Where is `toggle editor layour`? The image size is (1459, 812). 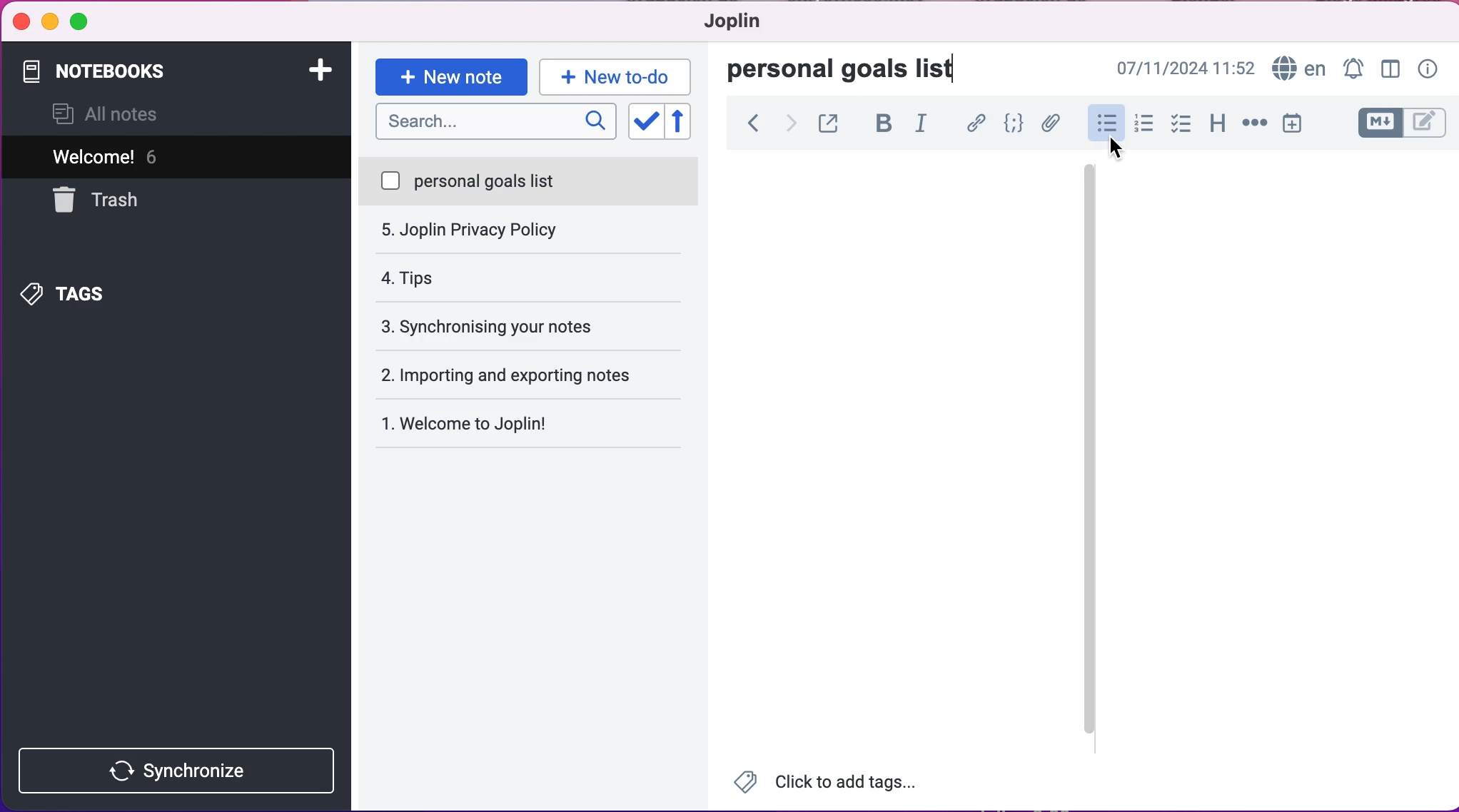 toggle editor layour is located at coordinates (1389, 66).